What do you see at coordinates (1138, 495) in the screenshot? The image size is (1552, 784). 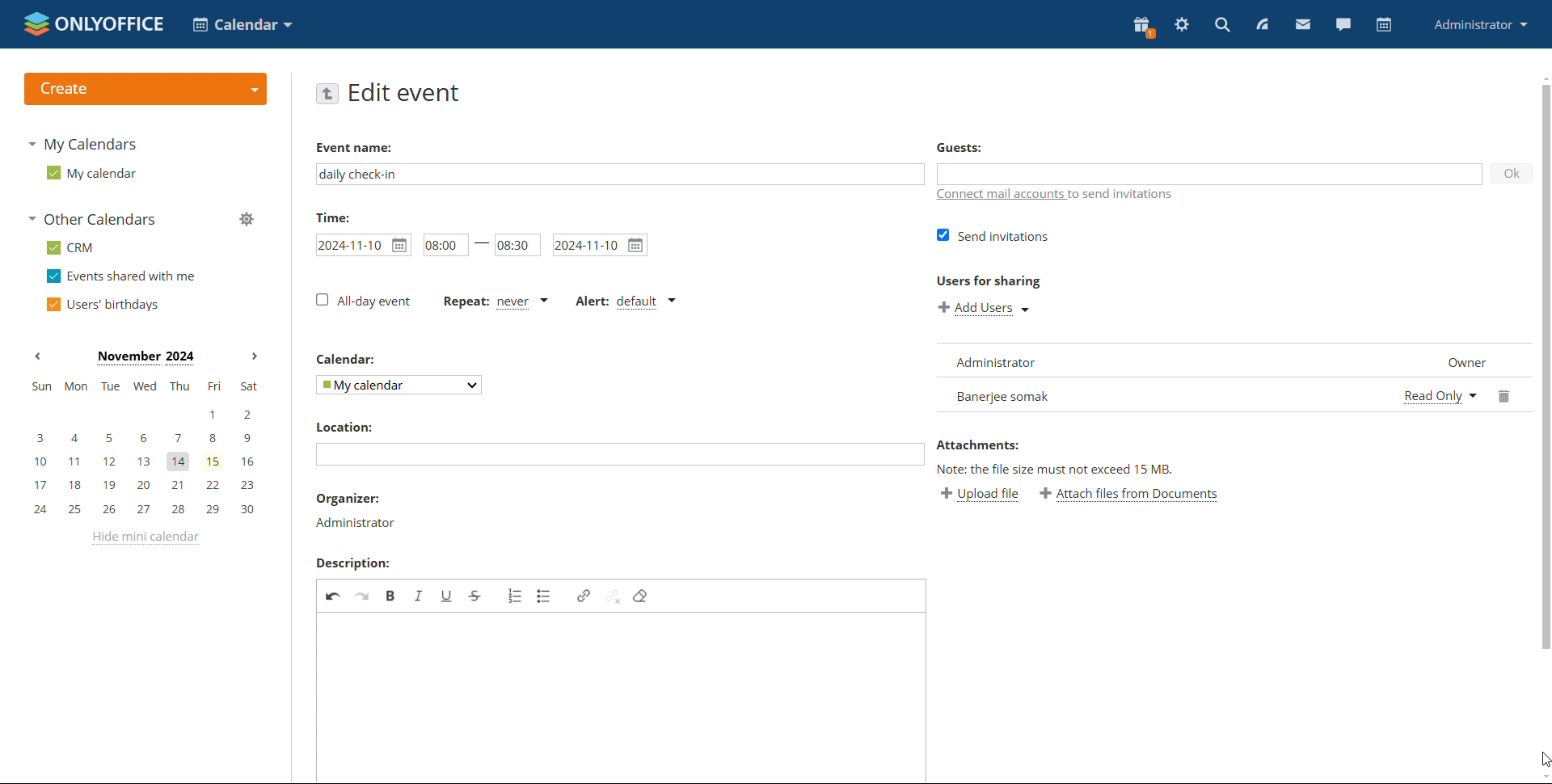 I see `attach files from documents` at bounding box center [1138, 495].